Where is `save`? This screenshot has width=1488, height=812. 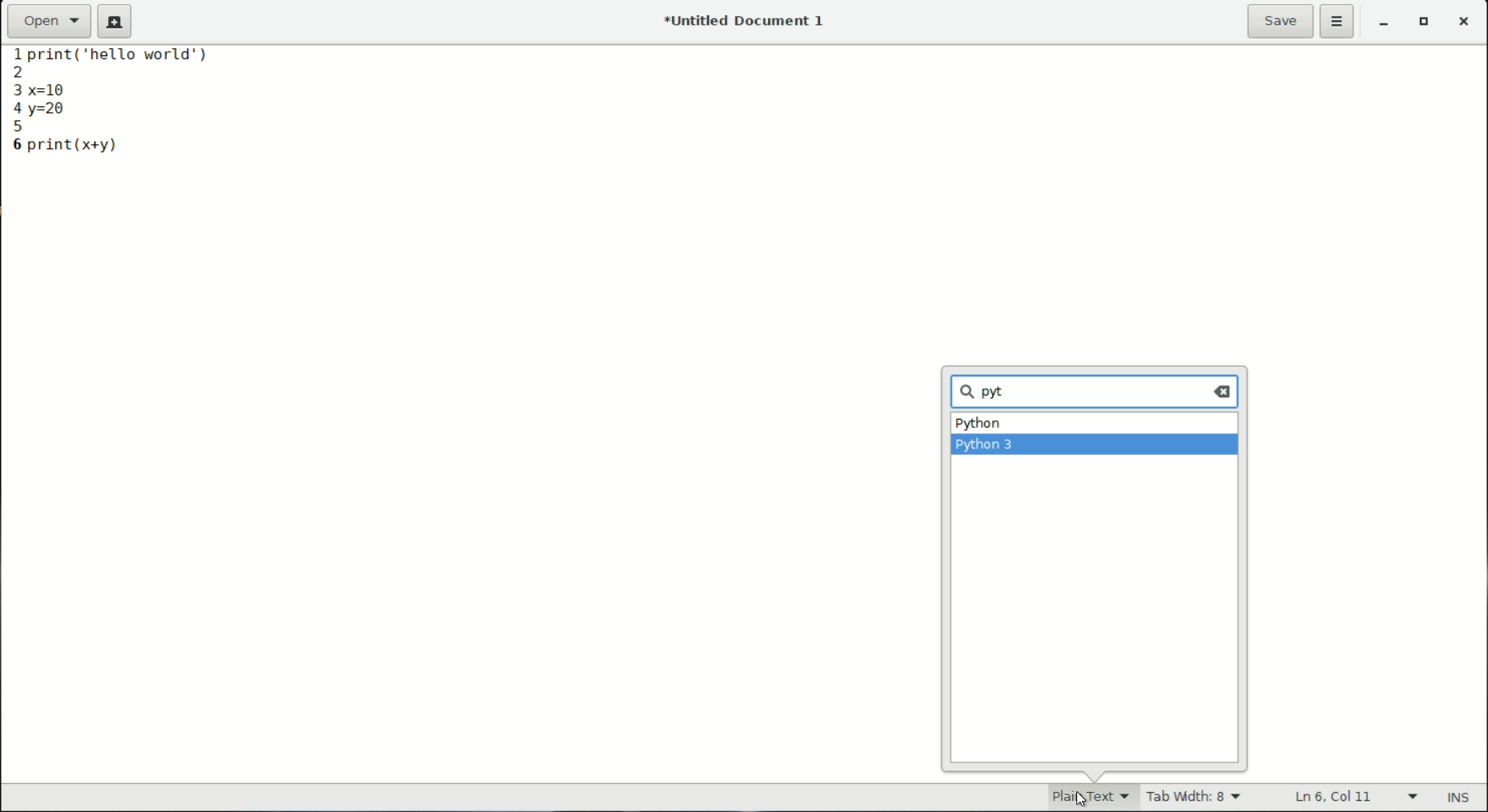 save is located at coordinates (1281, 21).